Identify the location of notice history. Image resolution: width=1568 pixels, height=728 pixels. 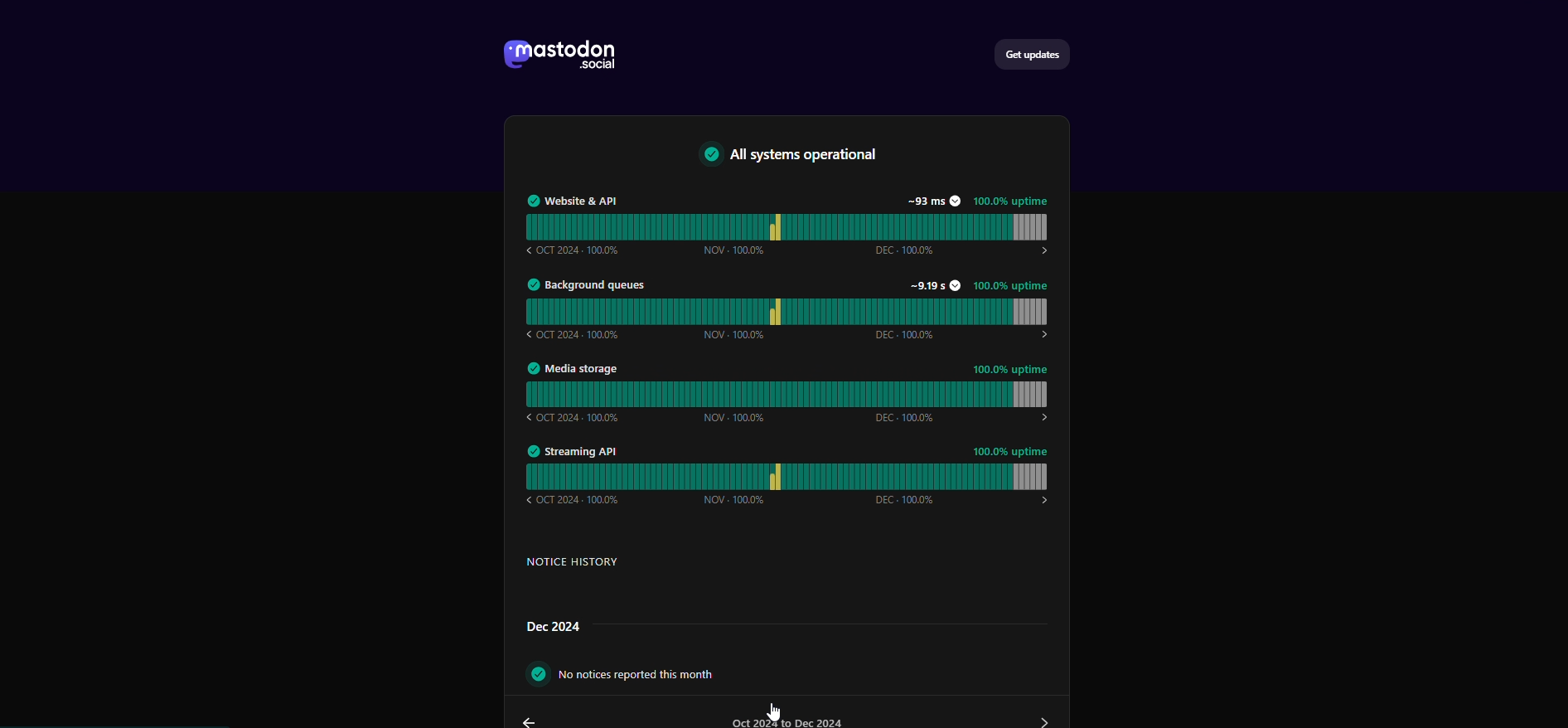
(592, 566).